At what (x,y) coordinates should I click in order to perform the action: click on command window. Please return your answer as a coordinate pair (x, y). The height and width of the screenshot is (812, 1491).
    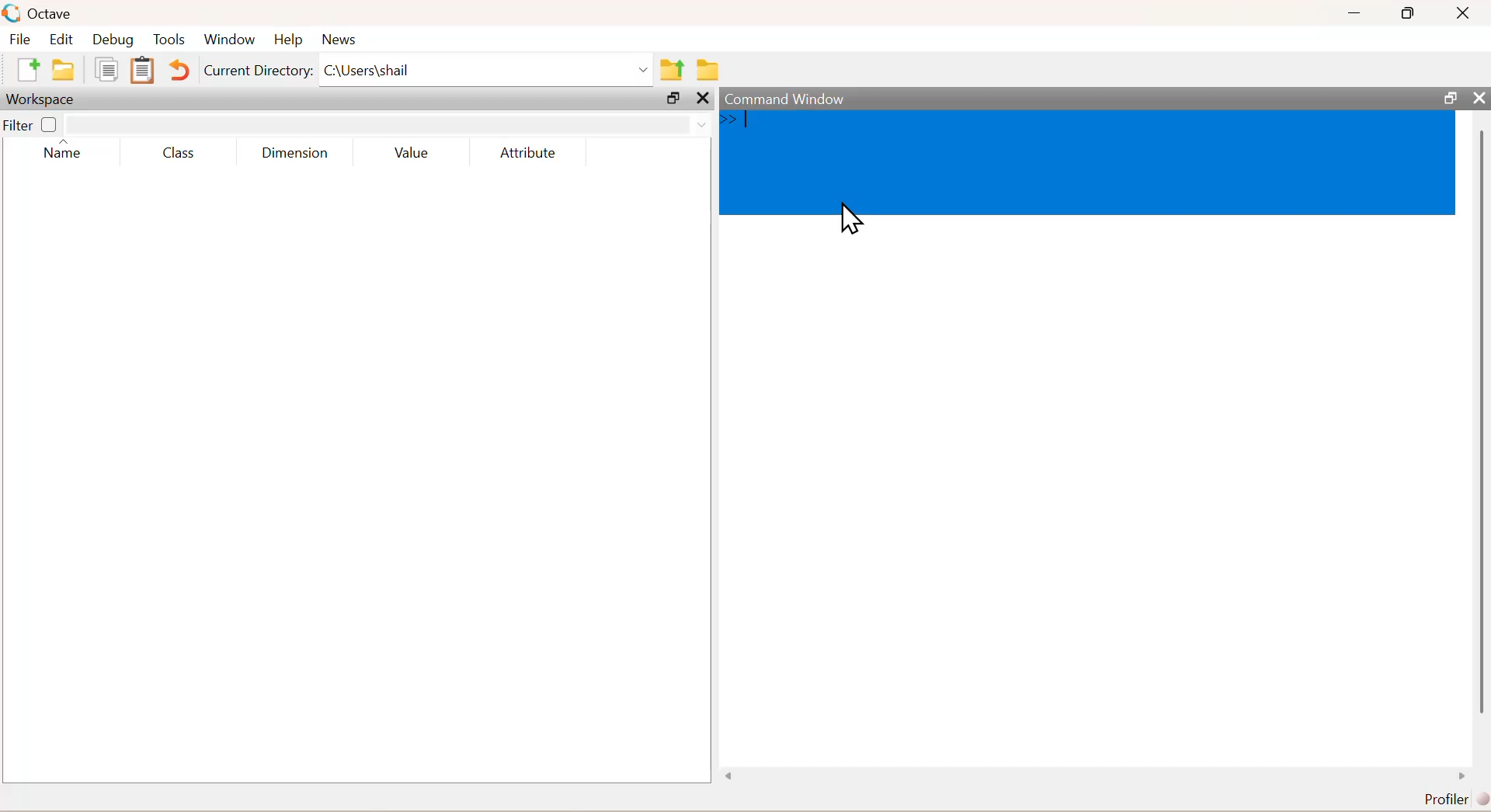
    Looking at the image, I should click on (787, 99).